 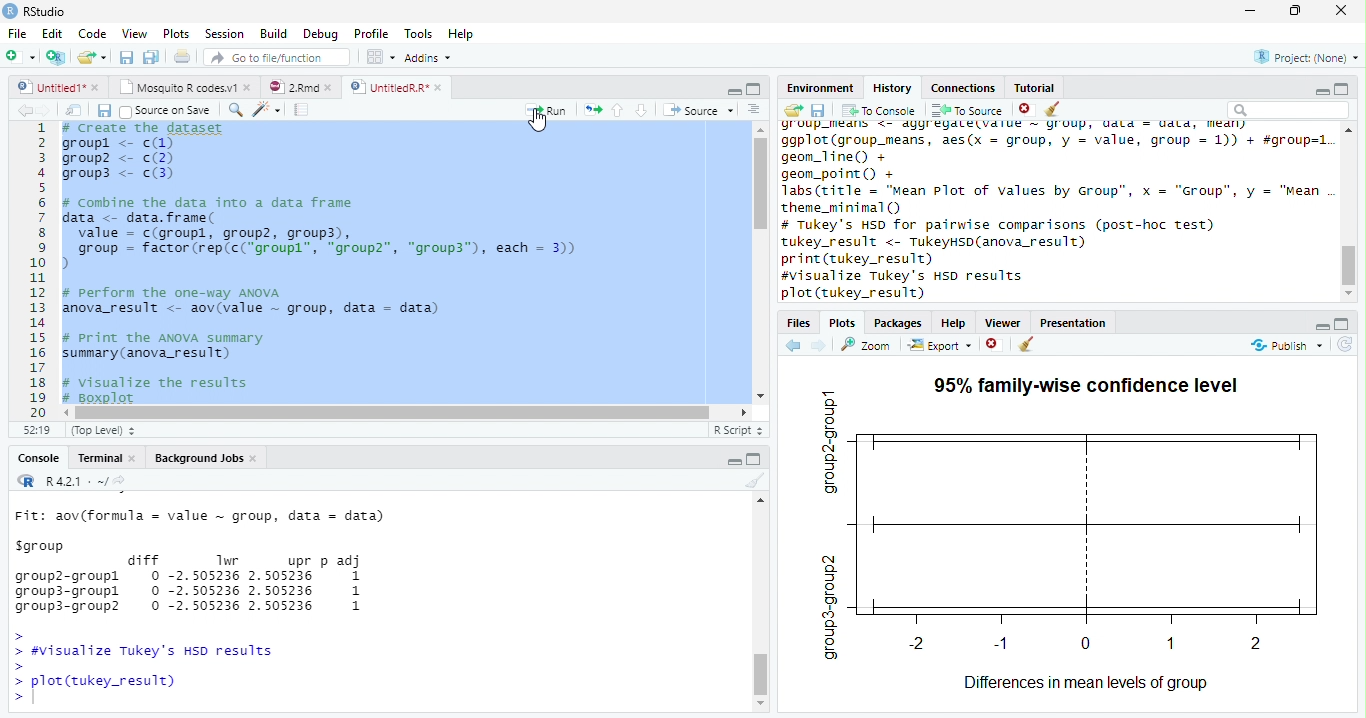 What do you see at coordinates (1319, 91) in the screenshot?
I see `Minimize` at bounding box center [1319, 91].